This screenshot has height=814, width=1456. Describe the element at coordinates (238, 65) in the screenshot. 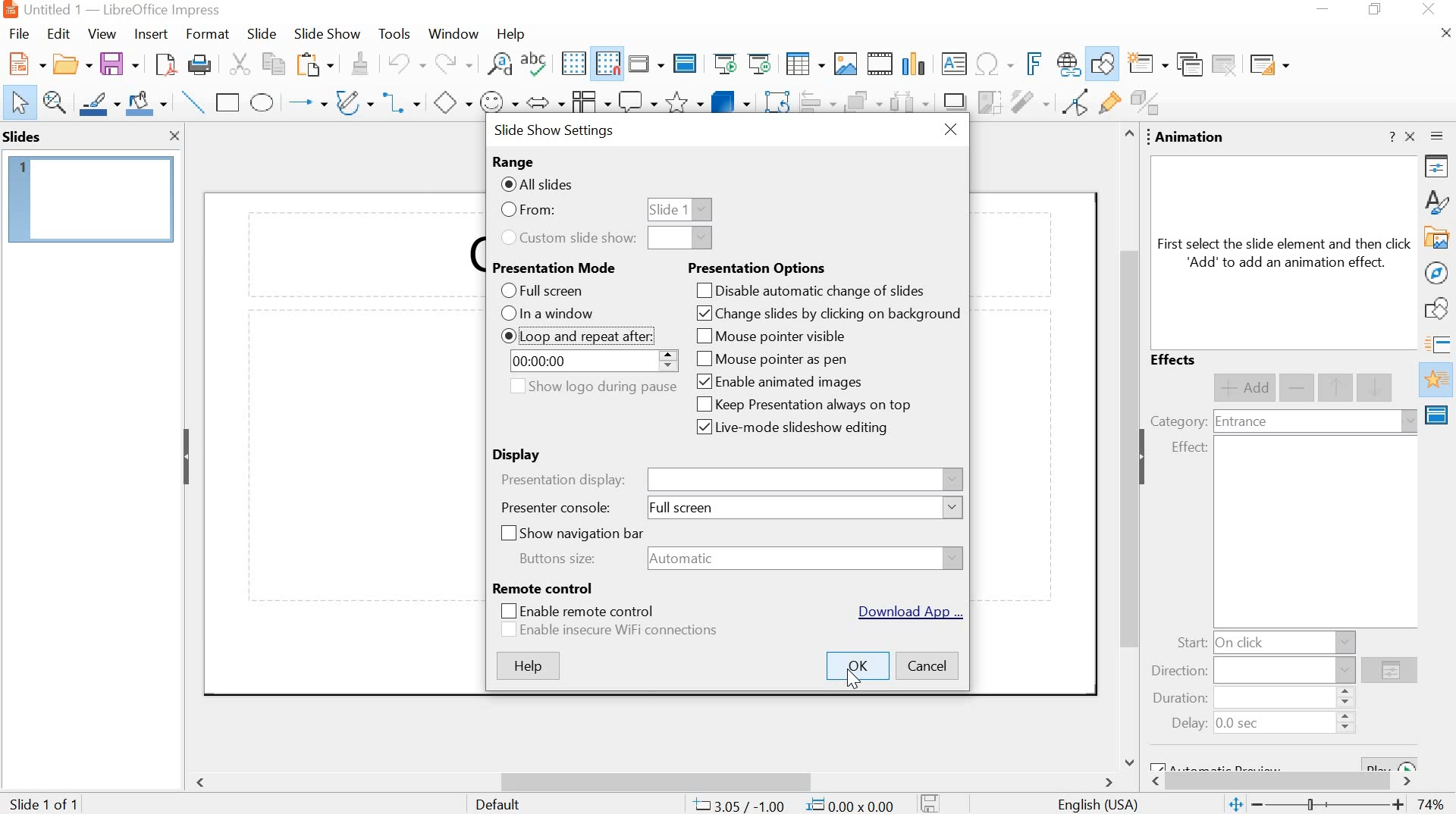

I see `cut` at that location.